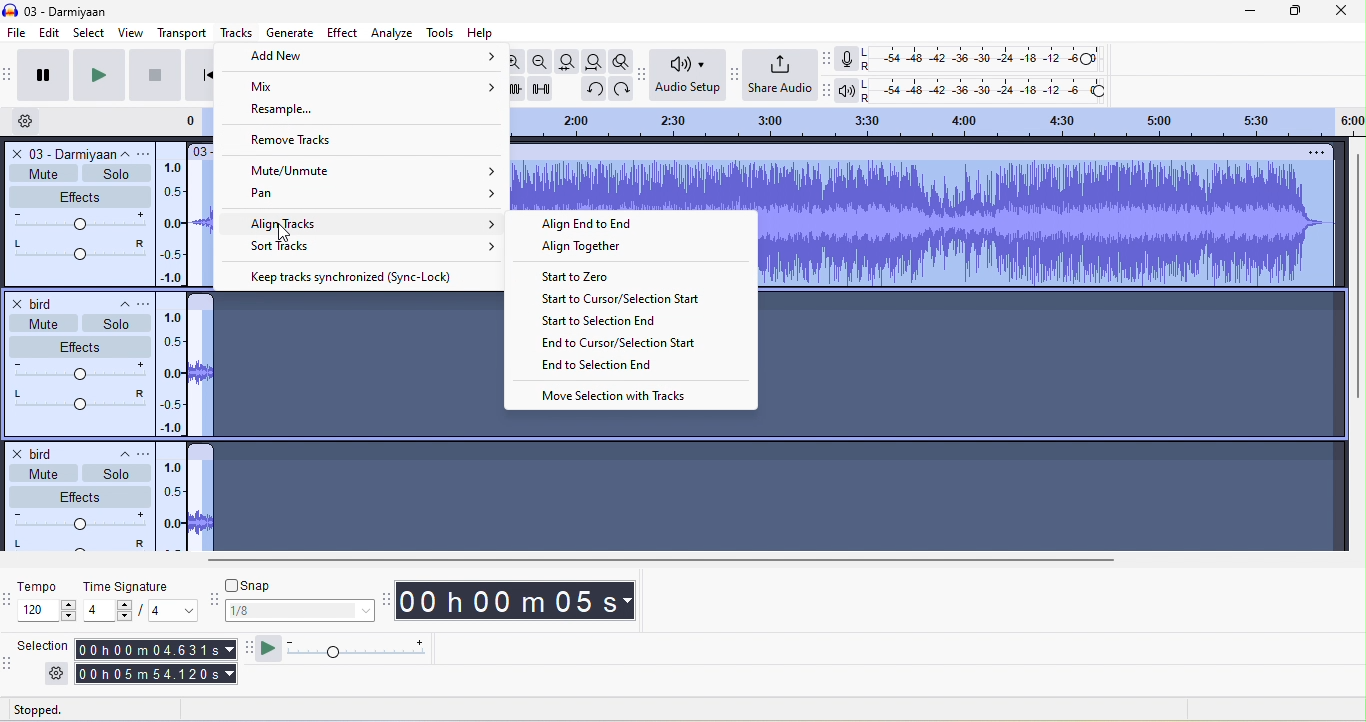 This screenshot has width=1366, height=722. I want to click on start to zero, so click(581, 280).